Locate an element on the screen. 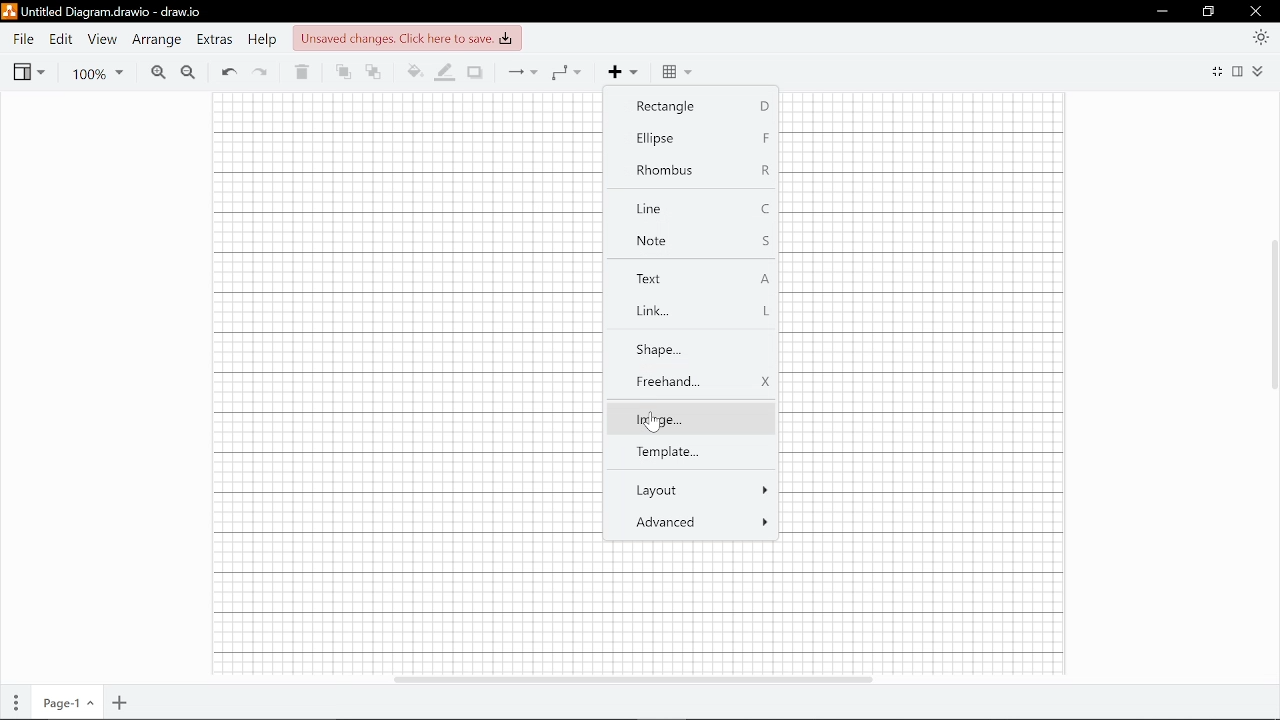 This screenshot has width=1280, height=720. Template... is located at coordinates (694, 452).